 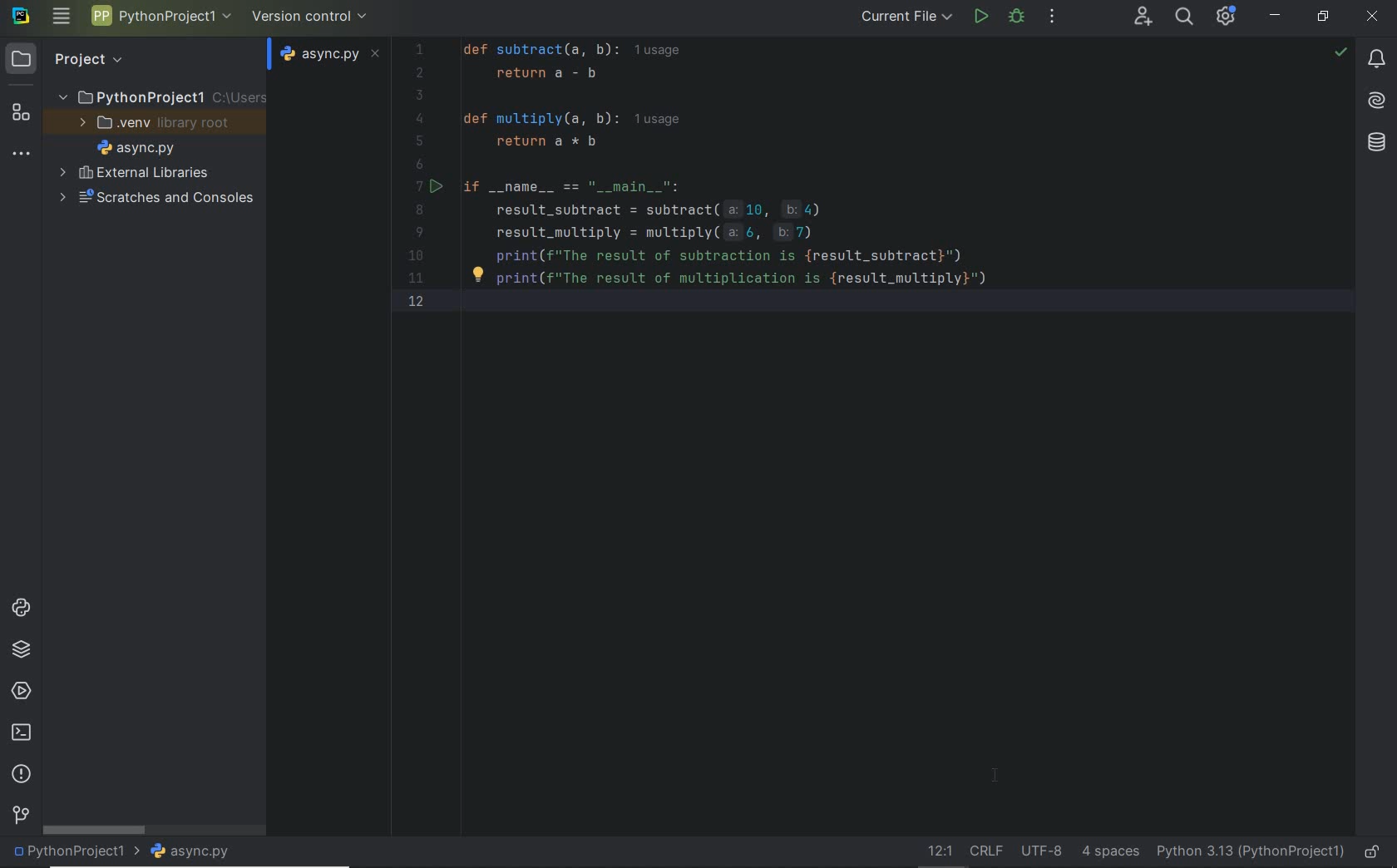 What do you see at coordinates (21, 609) in the screenshot?
I see `python console` at bounding box center [21, 609].